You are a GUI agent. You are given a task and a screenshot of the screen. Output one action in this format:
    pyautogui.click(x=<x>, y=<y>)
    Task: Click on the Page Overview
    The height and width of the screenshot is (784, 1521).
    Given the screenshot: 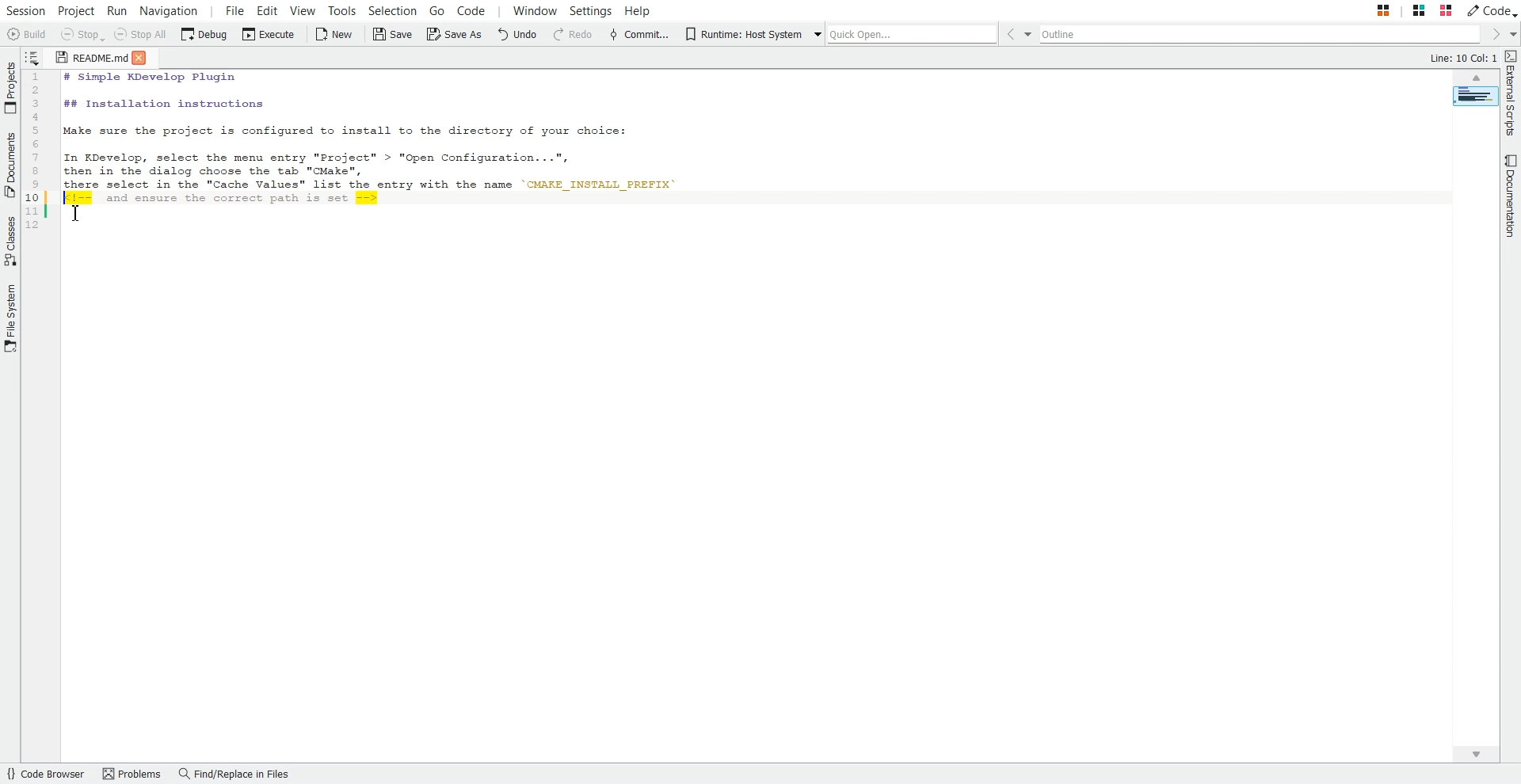 What is the action you would take?
    pyautogui.click(x=1475, y=96)
    